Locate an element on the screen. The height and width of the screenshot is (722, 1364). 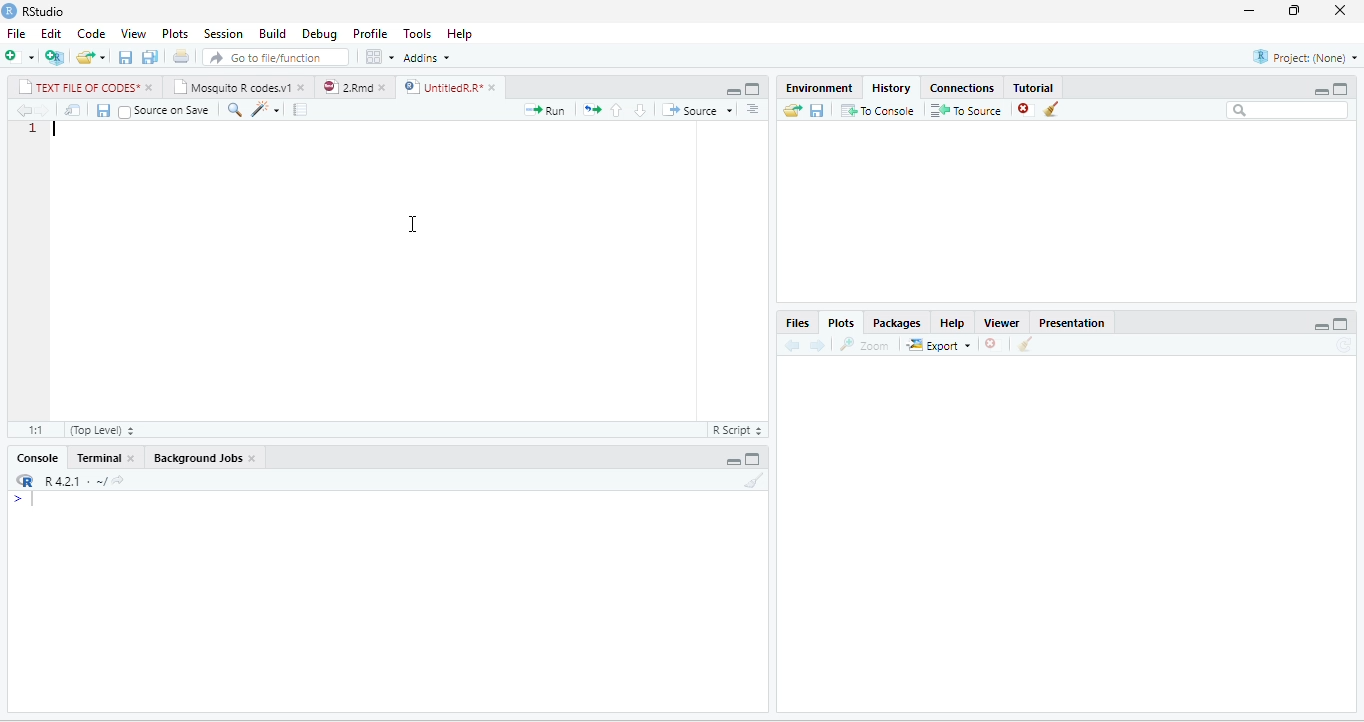
Plots is located at coordinates (841, 322).